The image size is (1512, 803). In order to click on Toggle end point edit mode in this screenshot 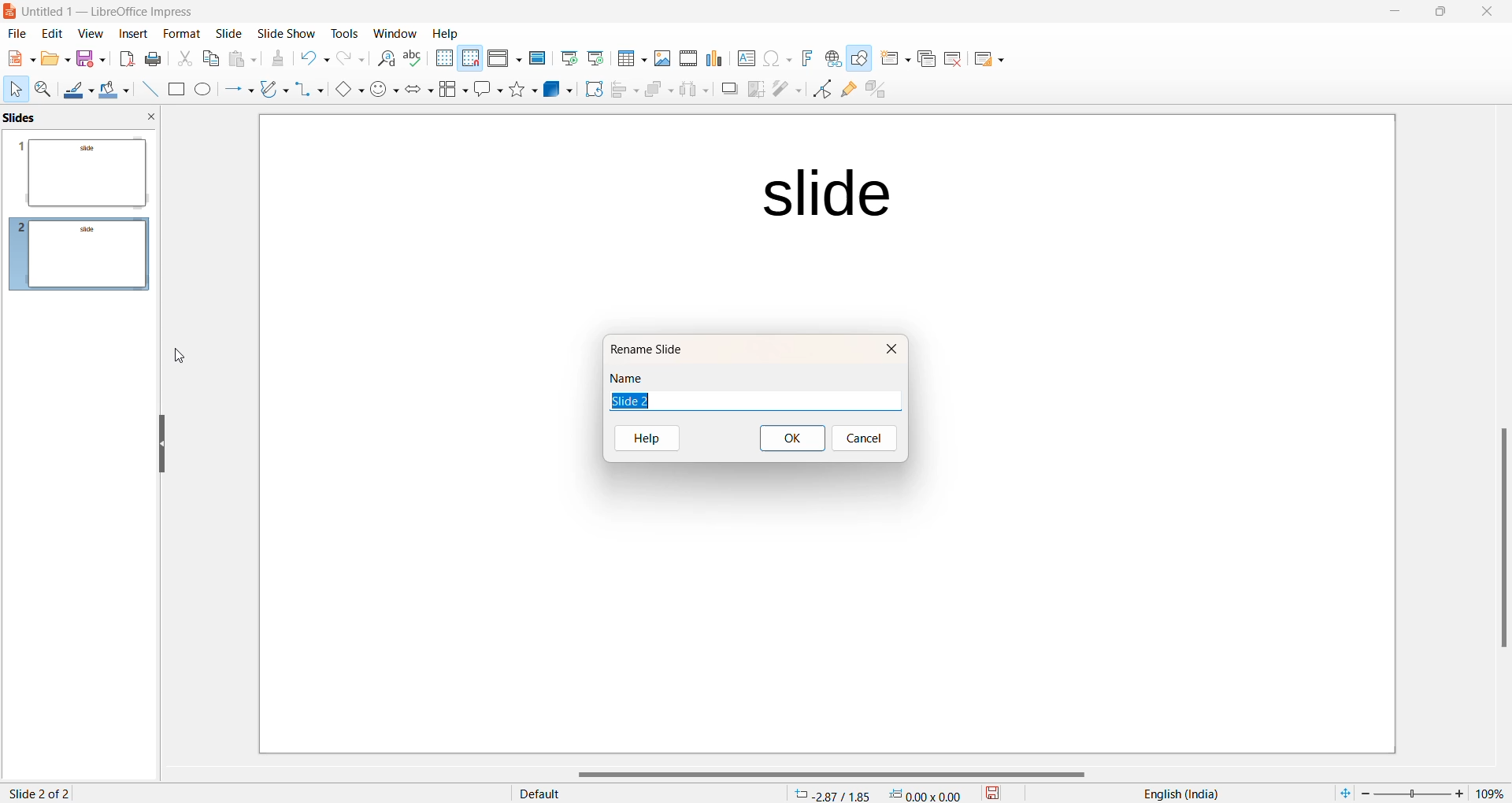, I will do `click(820, 90)`.